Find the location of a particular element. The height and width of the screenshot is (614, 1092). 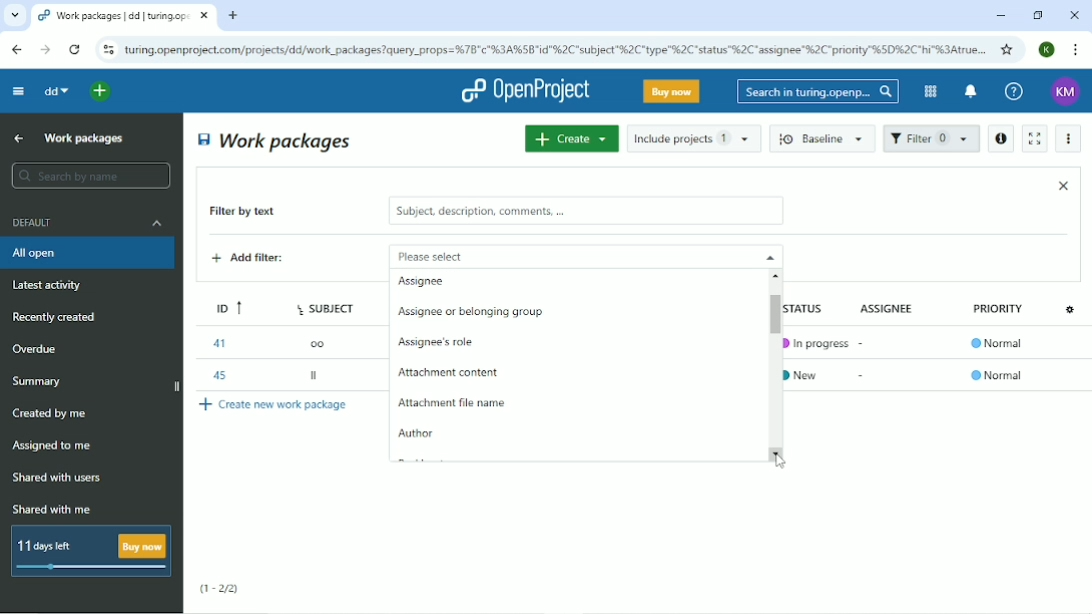

scroll up is located at coordinates (779, 275).